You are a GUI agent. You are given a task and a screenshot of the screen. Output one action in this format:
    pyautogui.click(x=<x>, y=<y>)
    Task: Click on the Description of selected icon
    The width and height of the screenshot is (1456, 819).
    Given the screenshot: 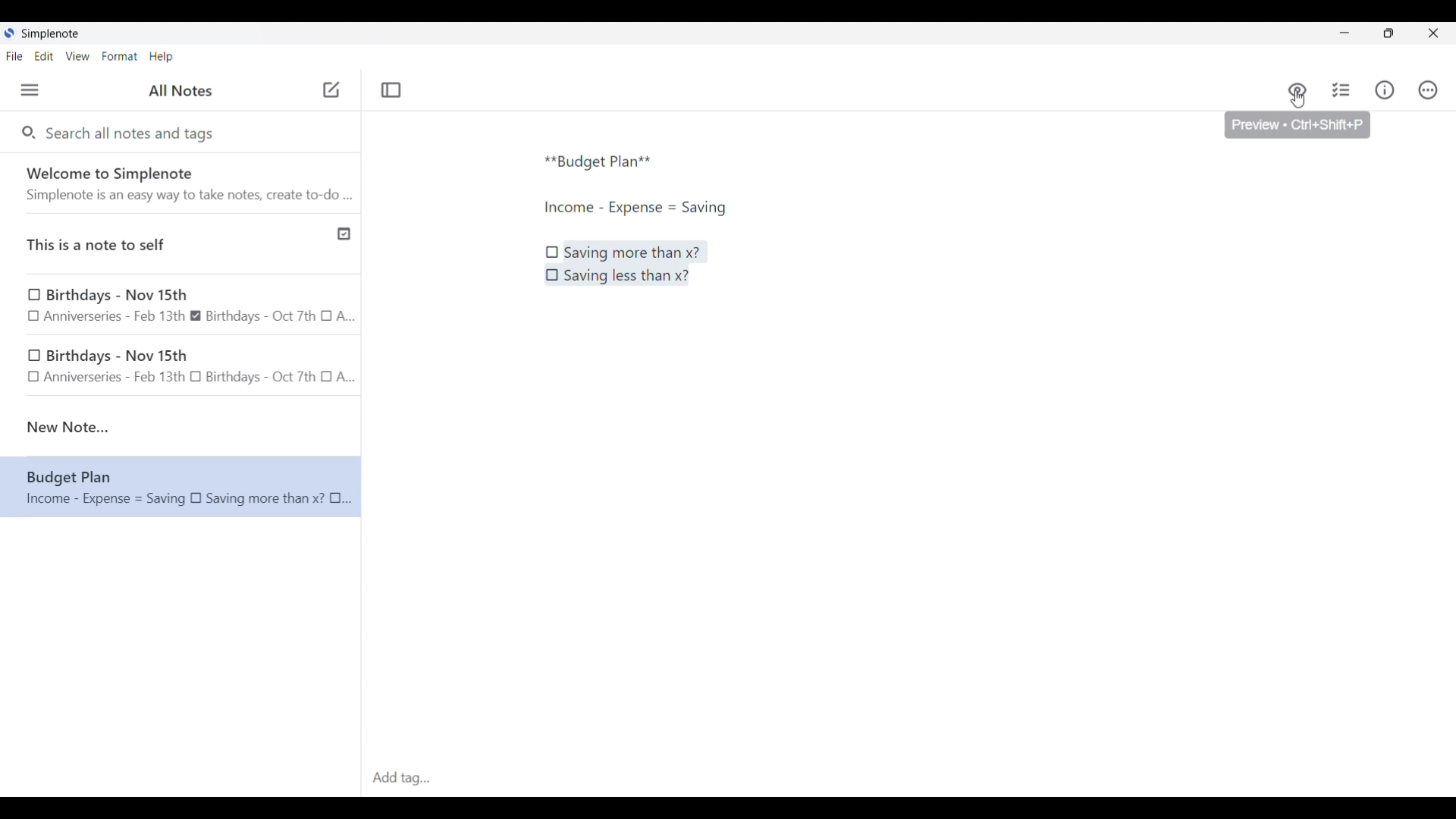 What is the action you would take?
    pyautogui.click(x=1298, y=125)
    